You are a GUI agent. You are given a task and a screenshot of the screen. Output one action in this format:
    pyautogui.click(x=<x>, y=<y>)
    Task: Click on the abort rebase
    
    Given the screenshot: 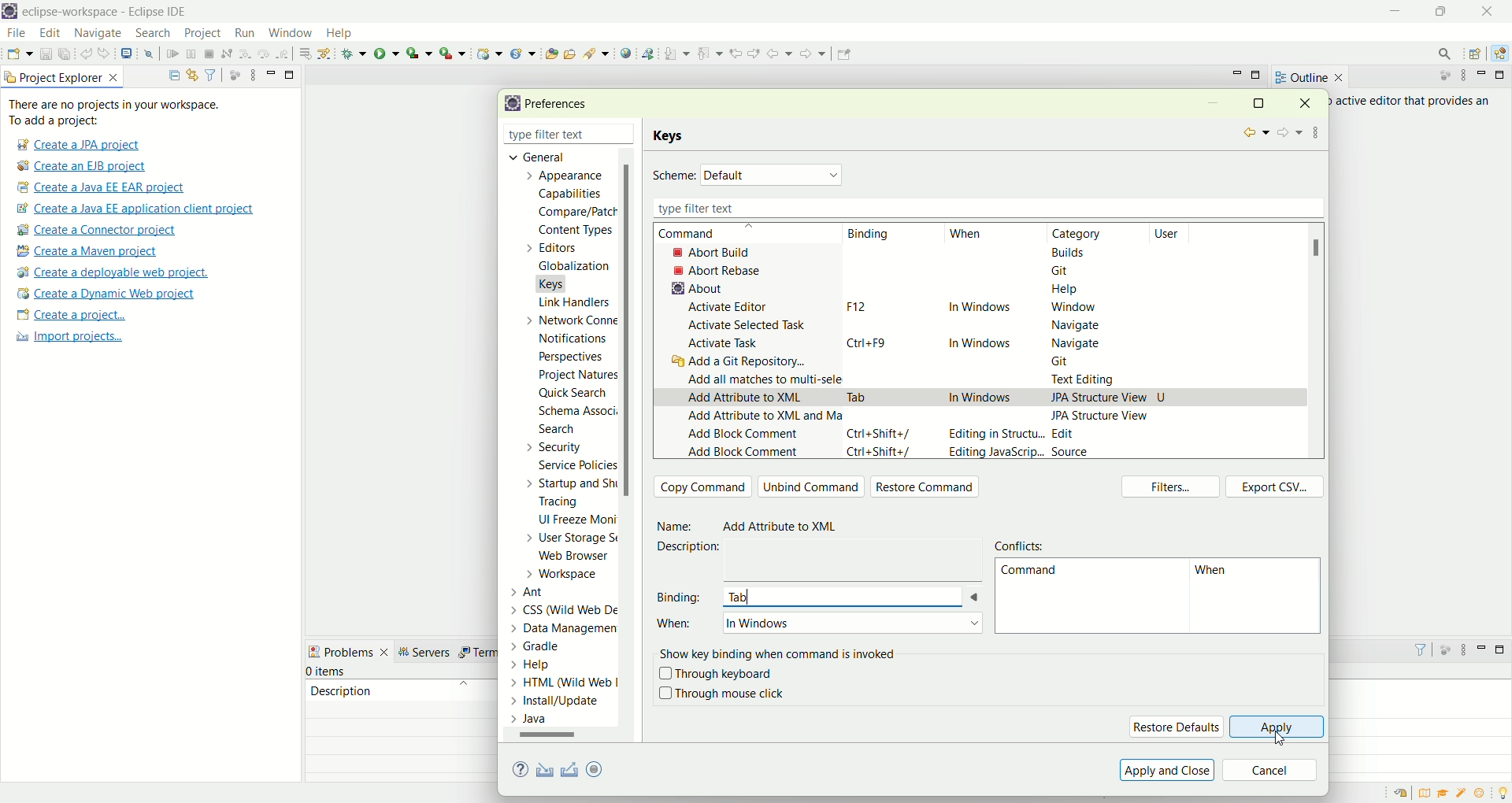 What is the action you would take?
    pyautogui.click(x=721, y=271)
    